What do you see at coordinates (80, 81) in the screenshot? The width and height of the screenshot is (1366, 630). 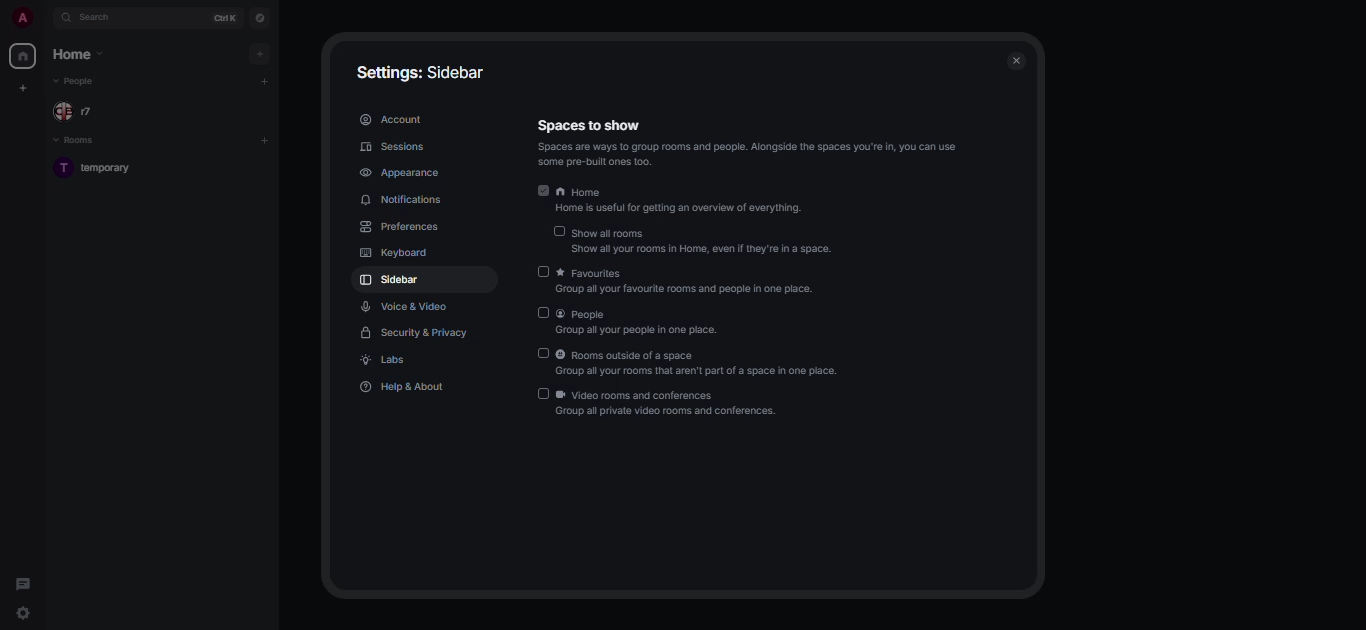 I see `people` at bounding box center [80, 81].